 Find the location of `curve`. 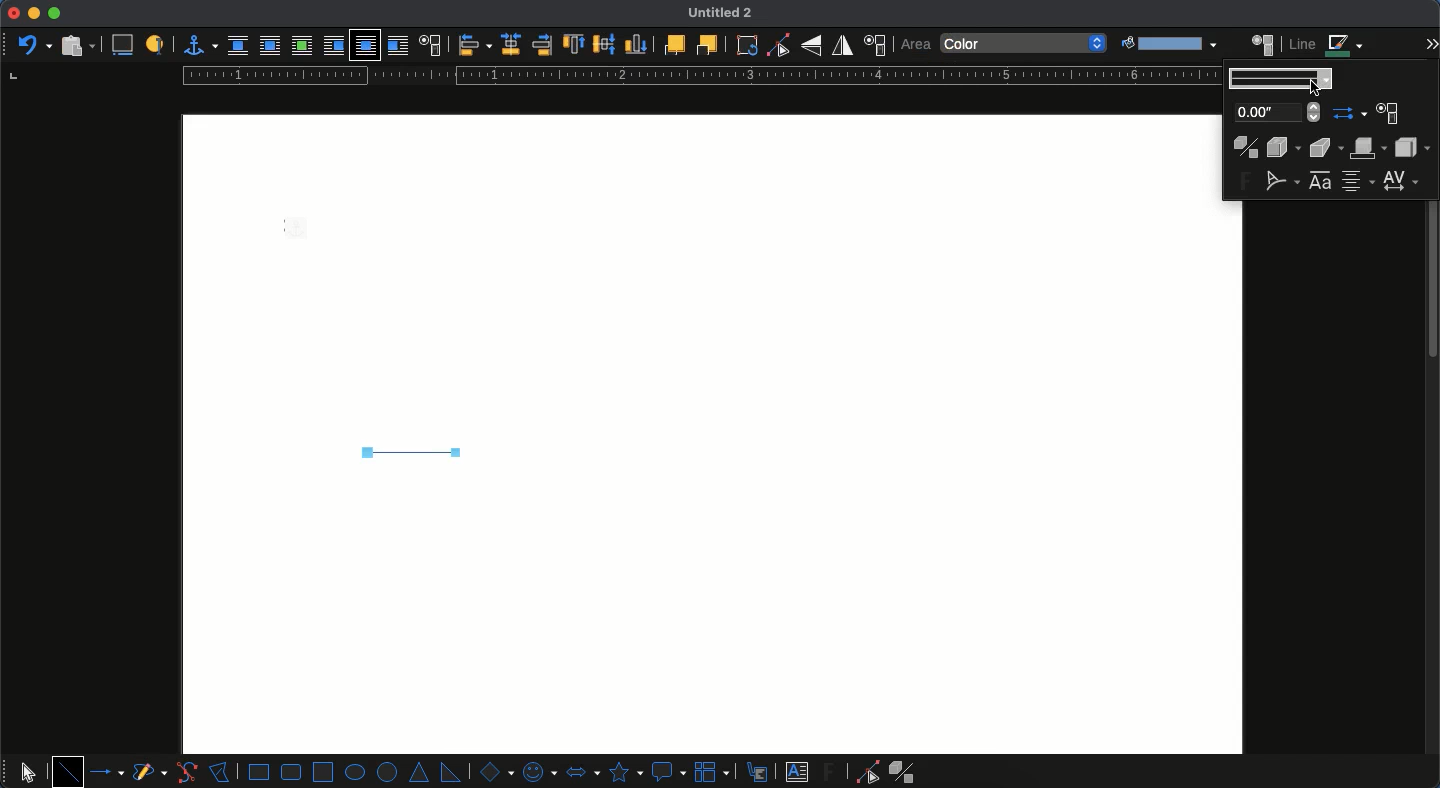

curve is located at coordinates (186, 772).